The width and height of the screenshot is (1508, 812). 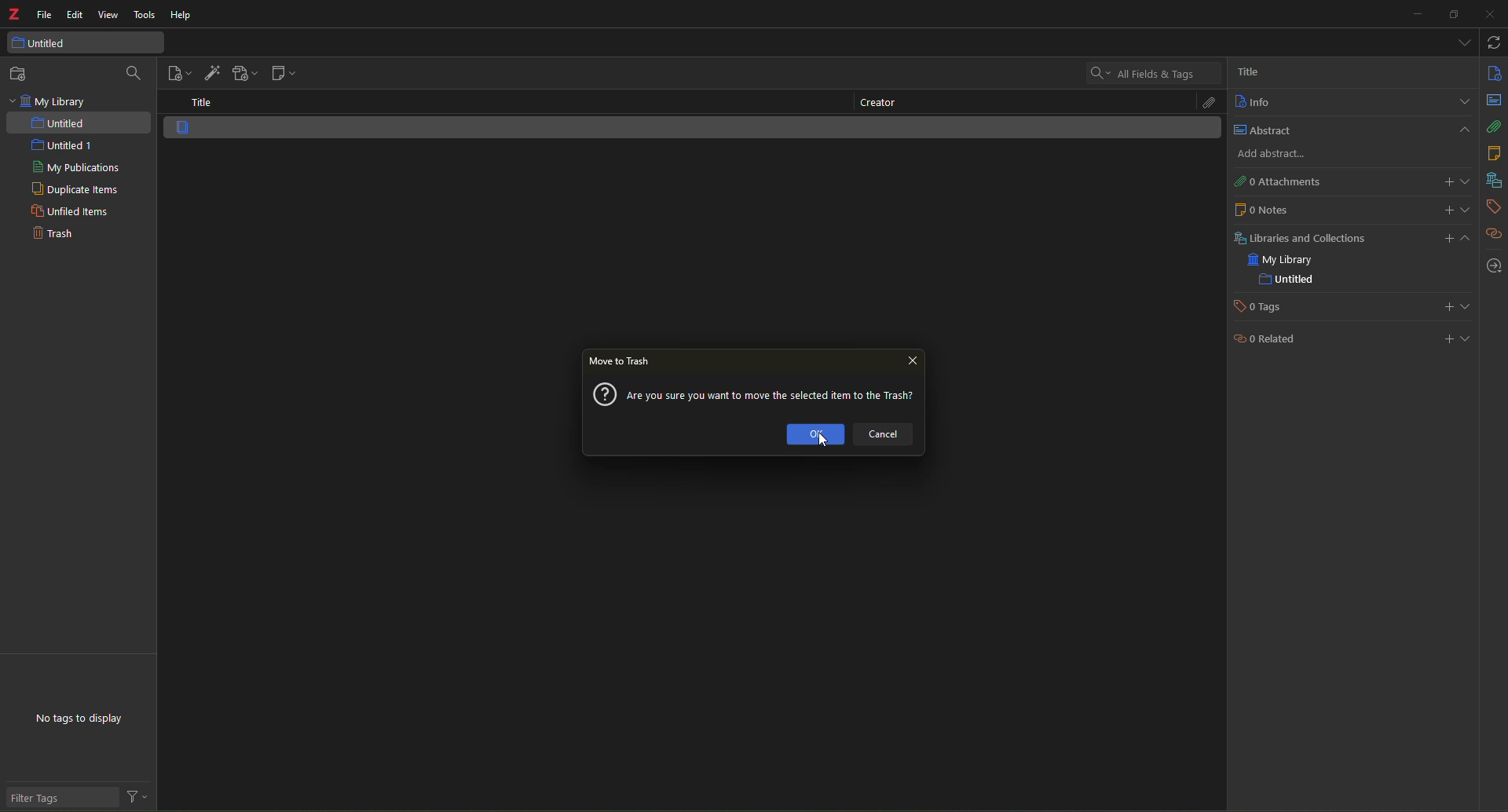 I want to click on locate, so click(x=1494, y=266).